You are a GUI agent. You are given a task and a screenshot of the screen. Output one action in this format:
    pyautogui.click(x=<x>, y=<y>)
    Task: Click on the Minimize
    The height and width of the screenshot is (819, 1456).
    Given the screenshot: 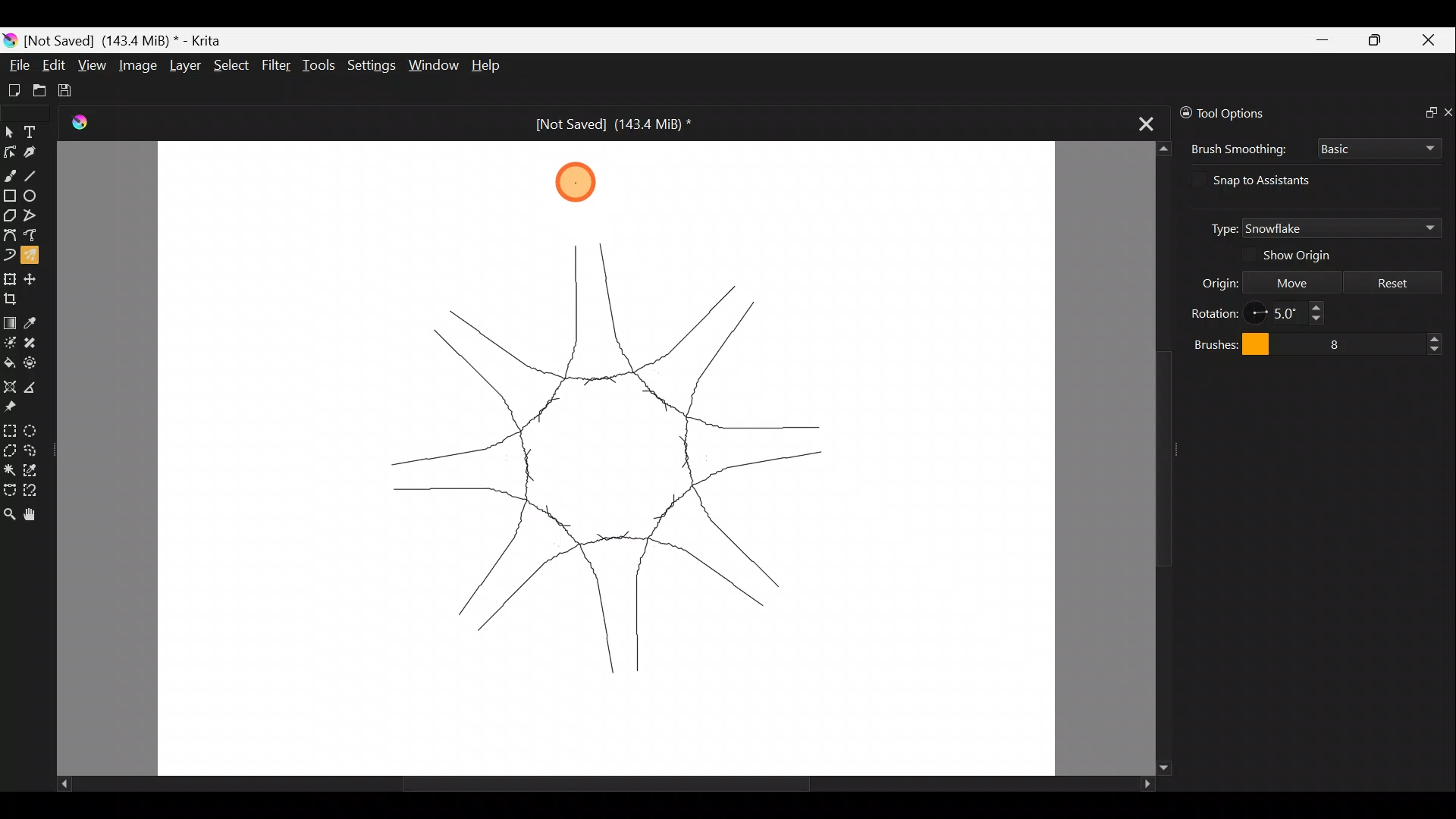 What is the action you would take?
    pyautogui.click(x=1320, y=40)
    